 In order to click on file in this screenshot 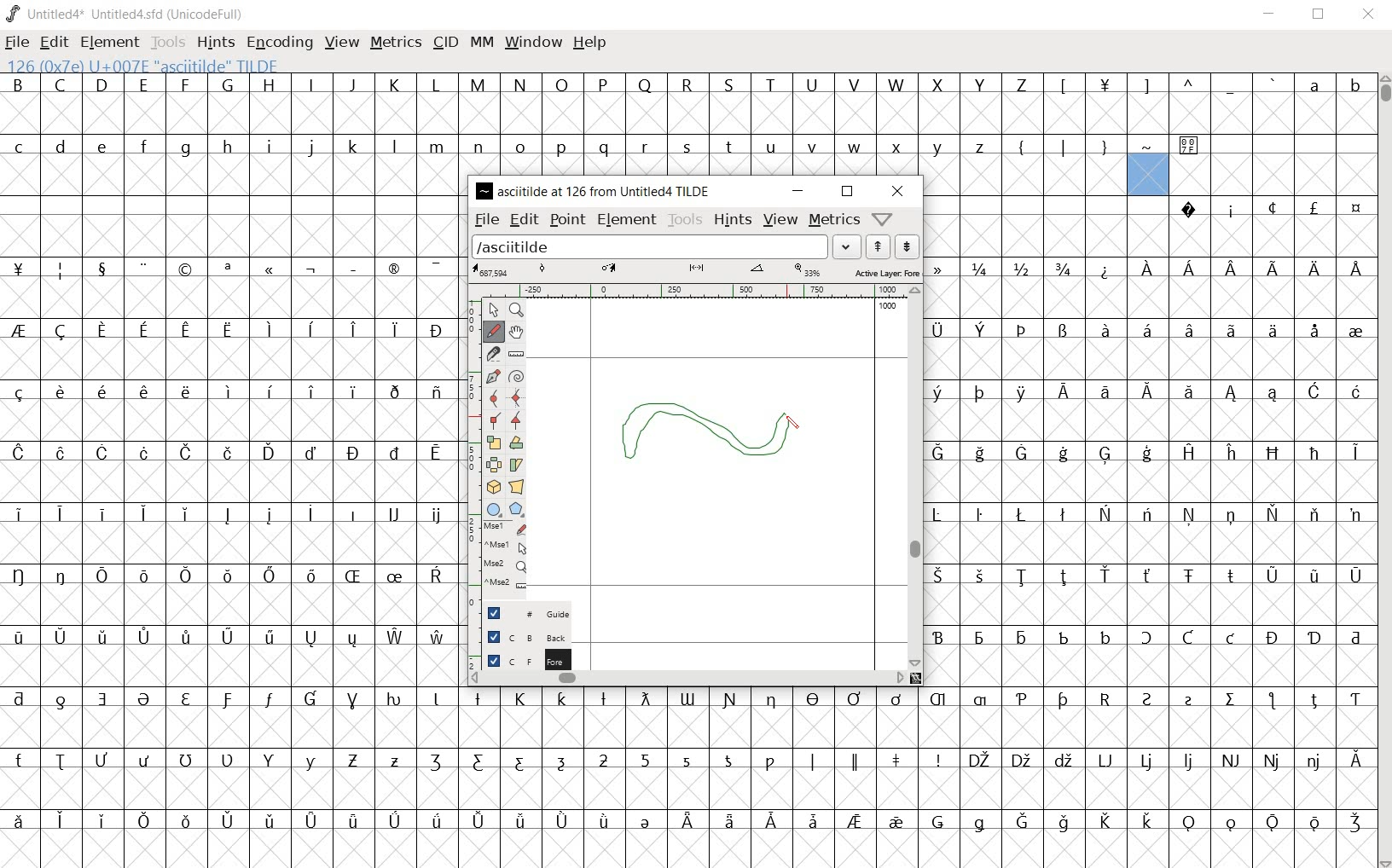, I will do `click(485, 218)`.